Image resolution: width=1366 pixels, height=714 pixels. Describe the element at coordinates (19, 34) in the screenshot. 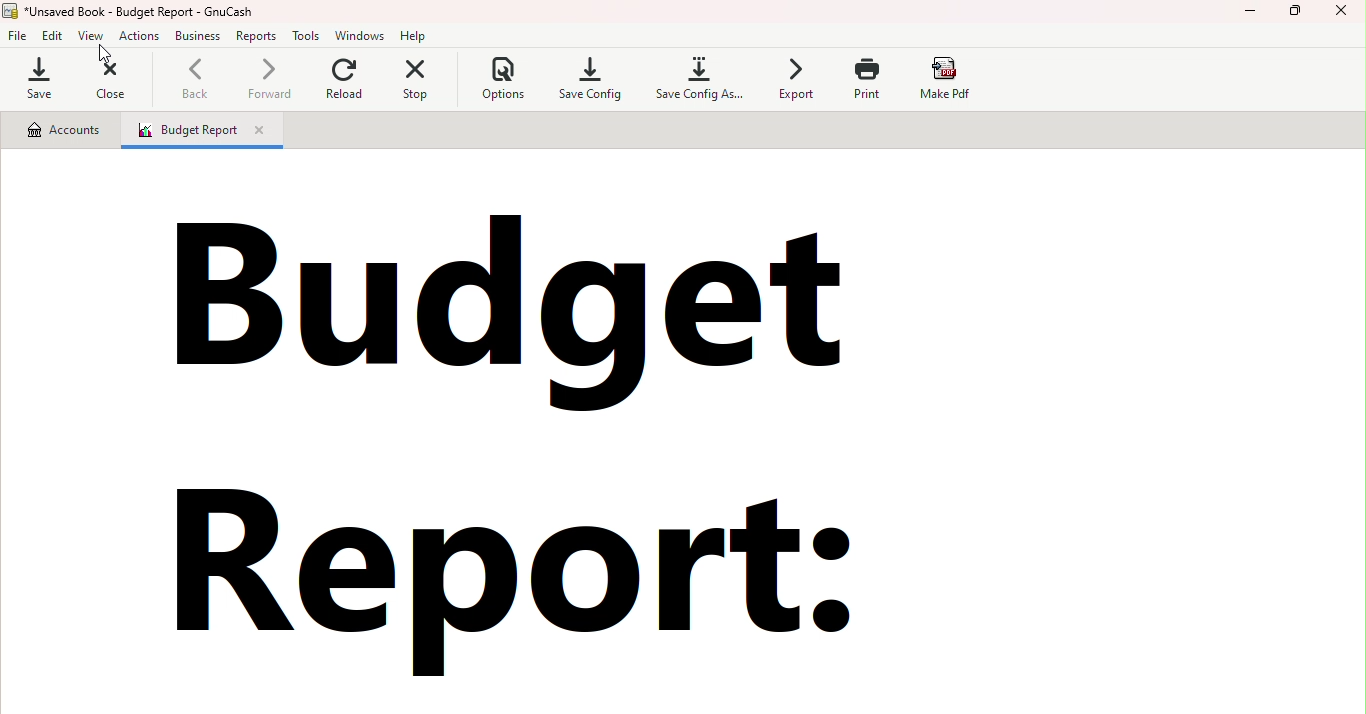

I see `File` at that location.